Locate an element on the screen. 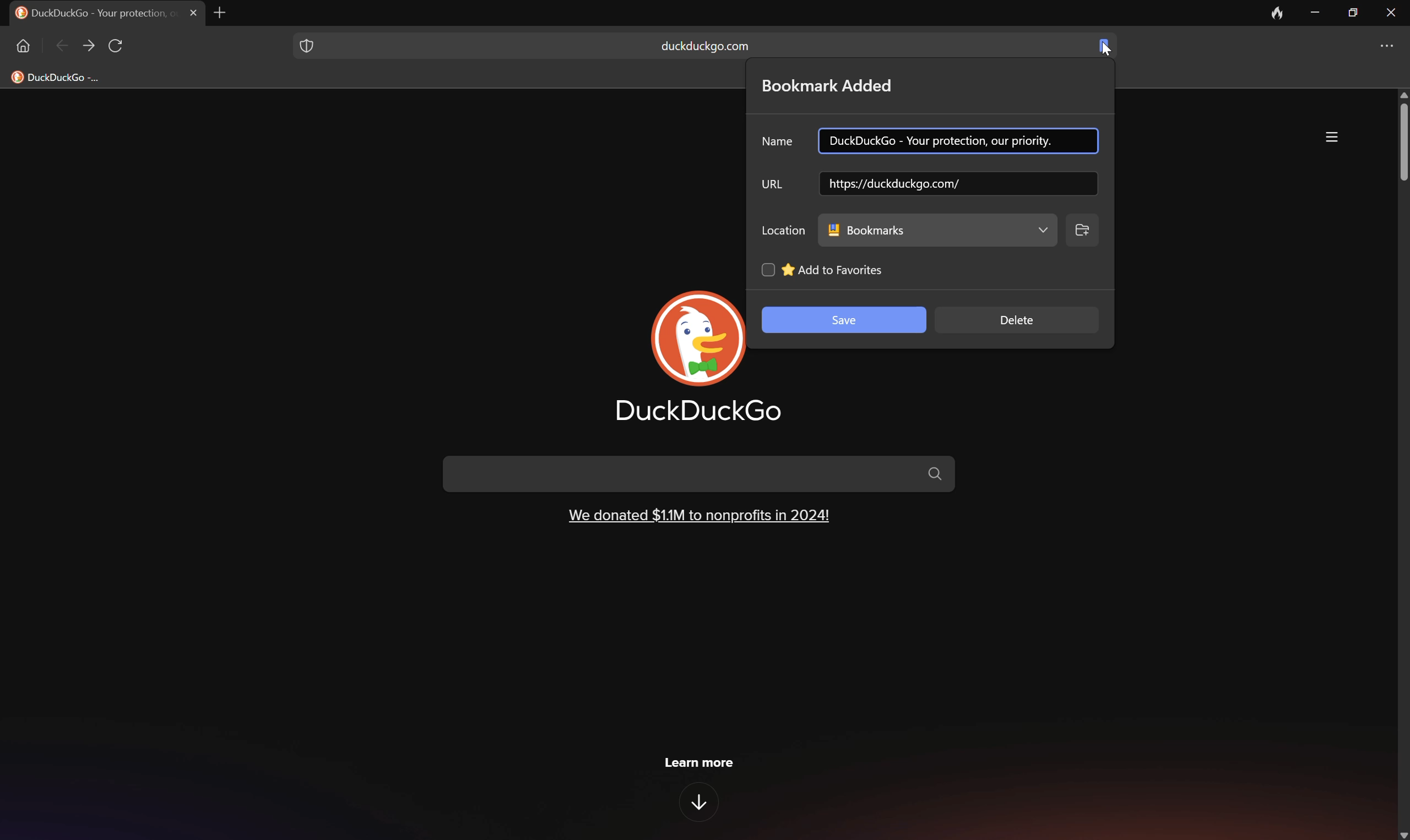 This screenshot has width=1410, height=840. DuckDuckGo - Your Protection, our priority. is located at coordinates (943, 141).